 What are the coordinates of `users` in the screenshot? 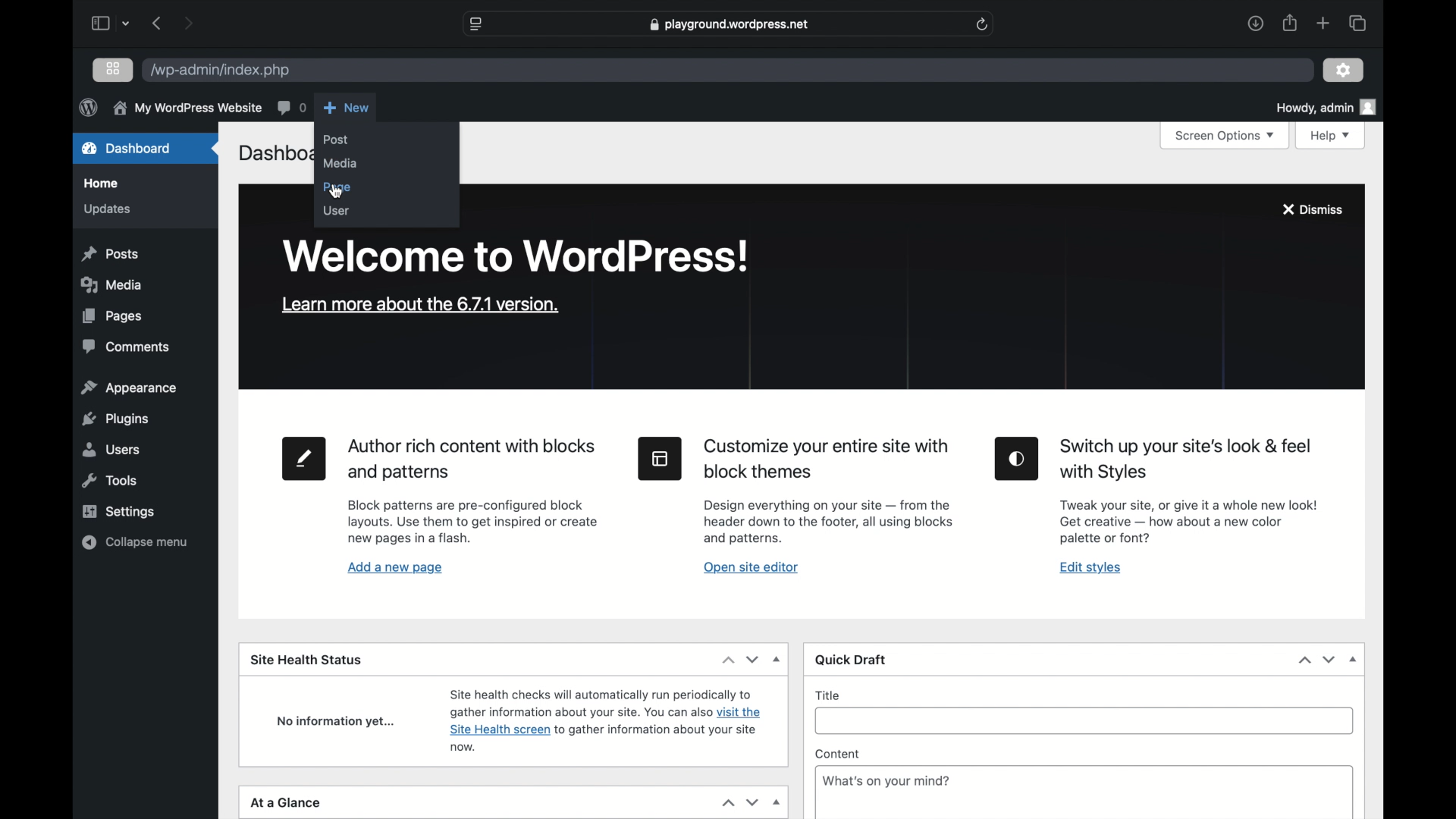 It's located at (109, 449).